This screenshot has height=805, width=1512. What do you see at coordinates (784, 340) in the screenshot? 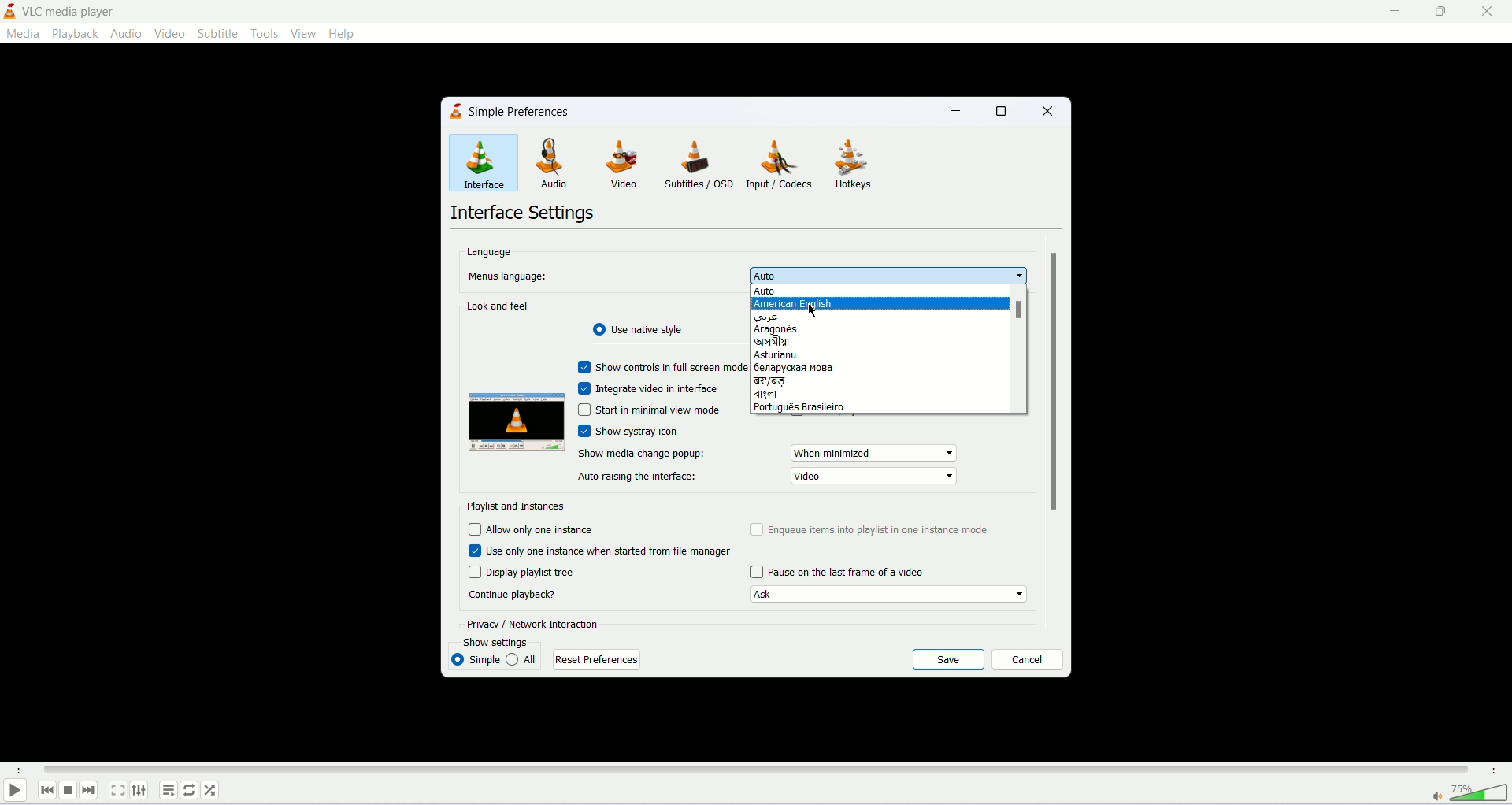
I see `bangla` at bounding box center [784, 340].